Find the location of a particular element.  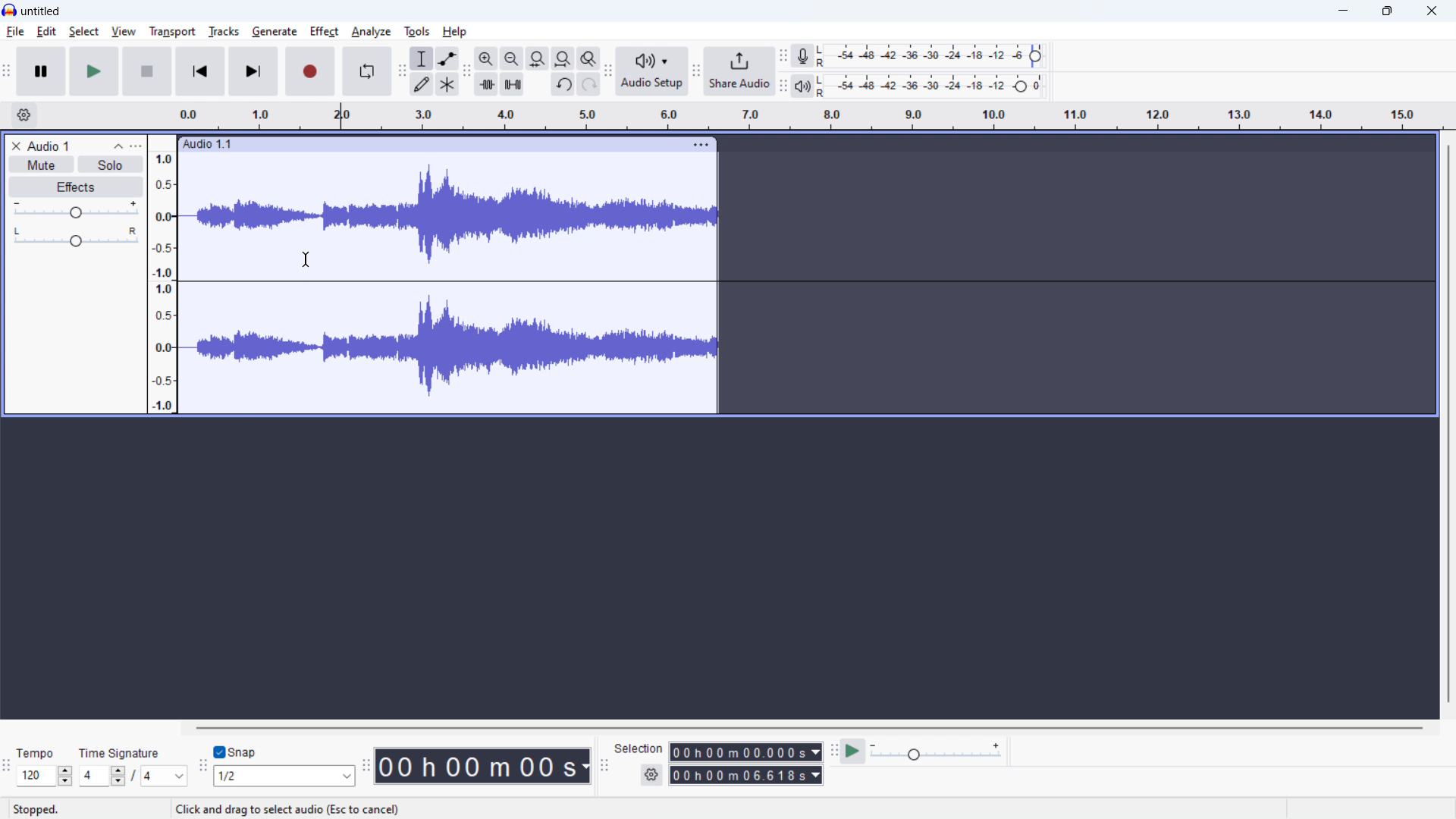

skip to start is located at coordinates (200, 71).